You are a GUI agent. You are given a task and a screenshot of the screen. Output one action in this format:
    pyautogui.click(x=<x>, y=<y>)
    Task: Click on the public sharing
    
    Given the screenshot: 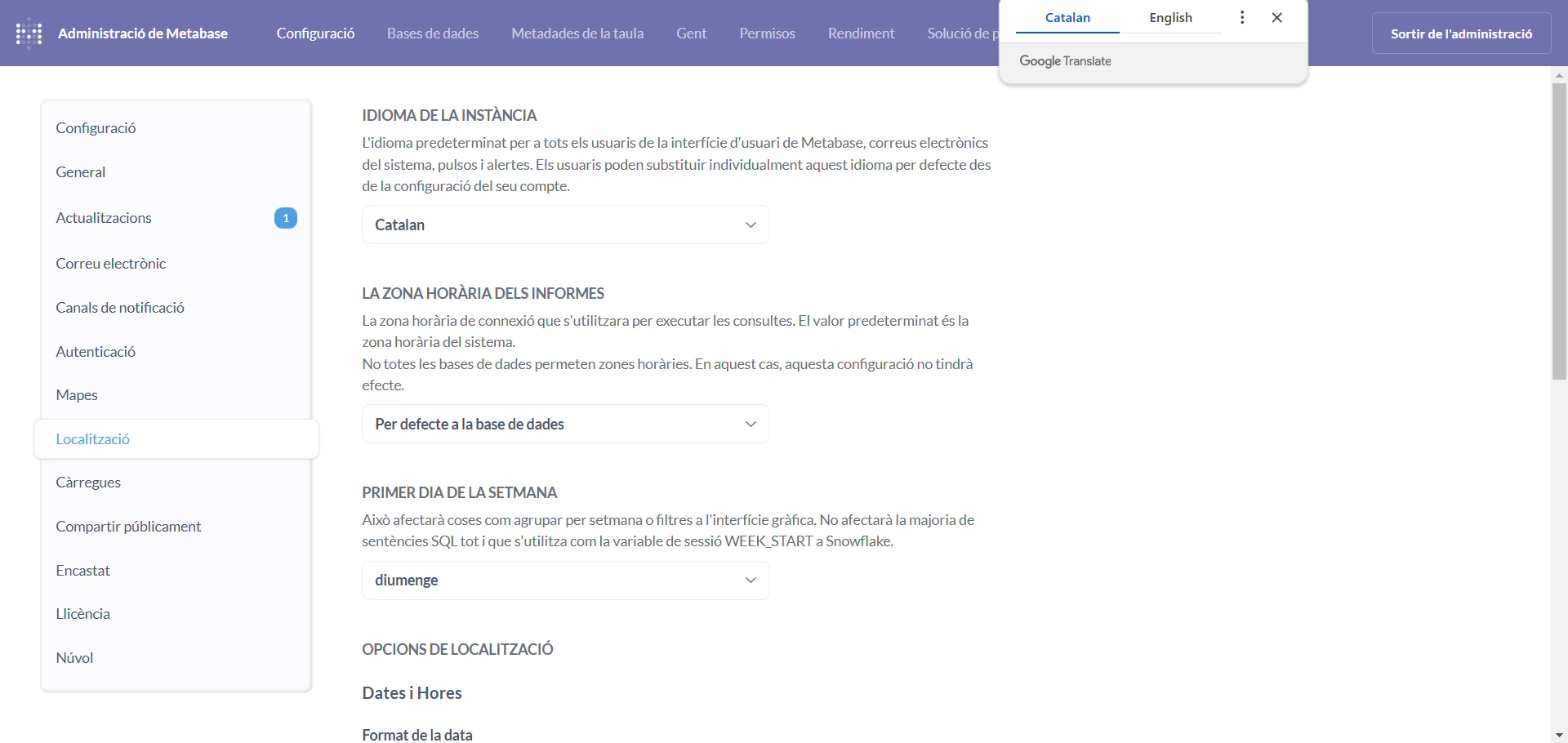 What is the action you would take?
    pyautogui.click(x=153, y=526)
    